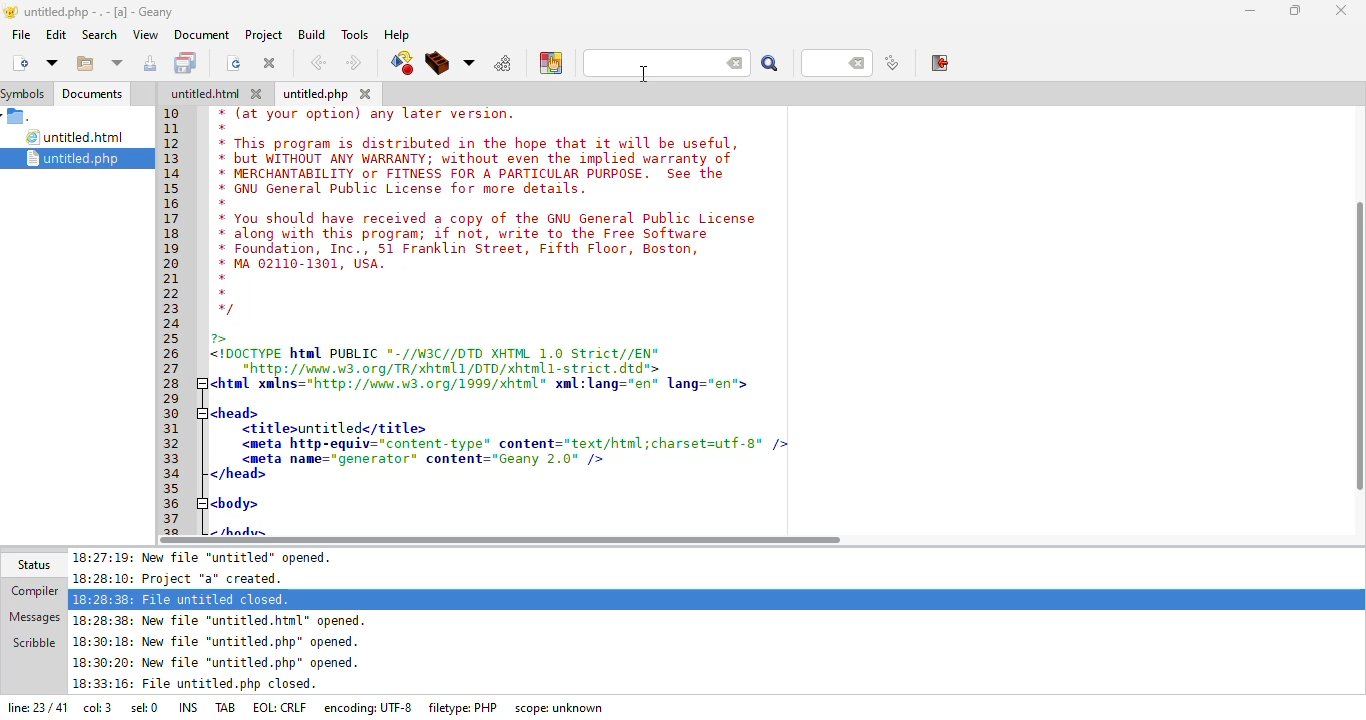 The height and width of the screenshot is (720, 1366). Describe the element at coordinates (309, 34) in the screenshot. I see `build` at that location.